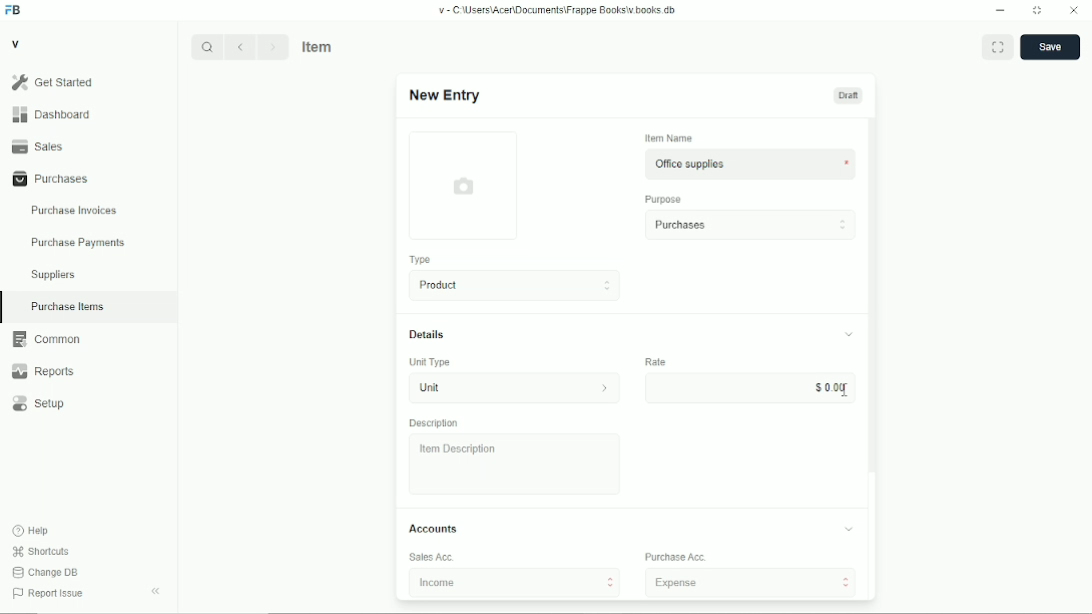 The width and height of the screenshot is (1092, 614). What do you see at coordinates (558, 10) in the screenshot?
I see `v-C:\Users\Acer\Documents\Frappe books\v.books.db` at bounding box center [558, 10].